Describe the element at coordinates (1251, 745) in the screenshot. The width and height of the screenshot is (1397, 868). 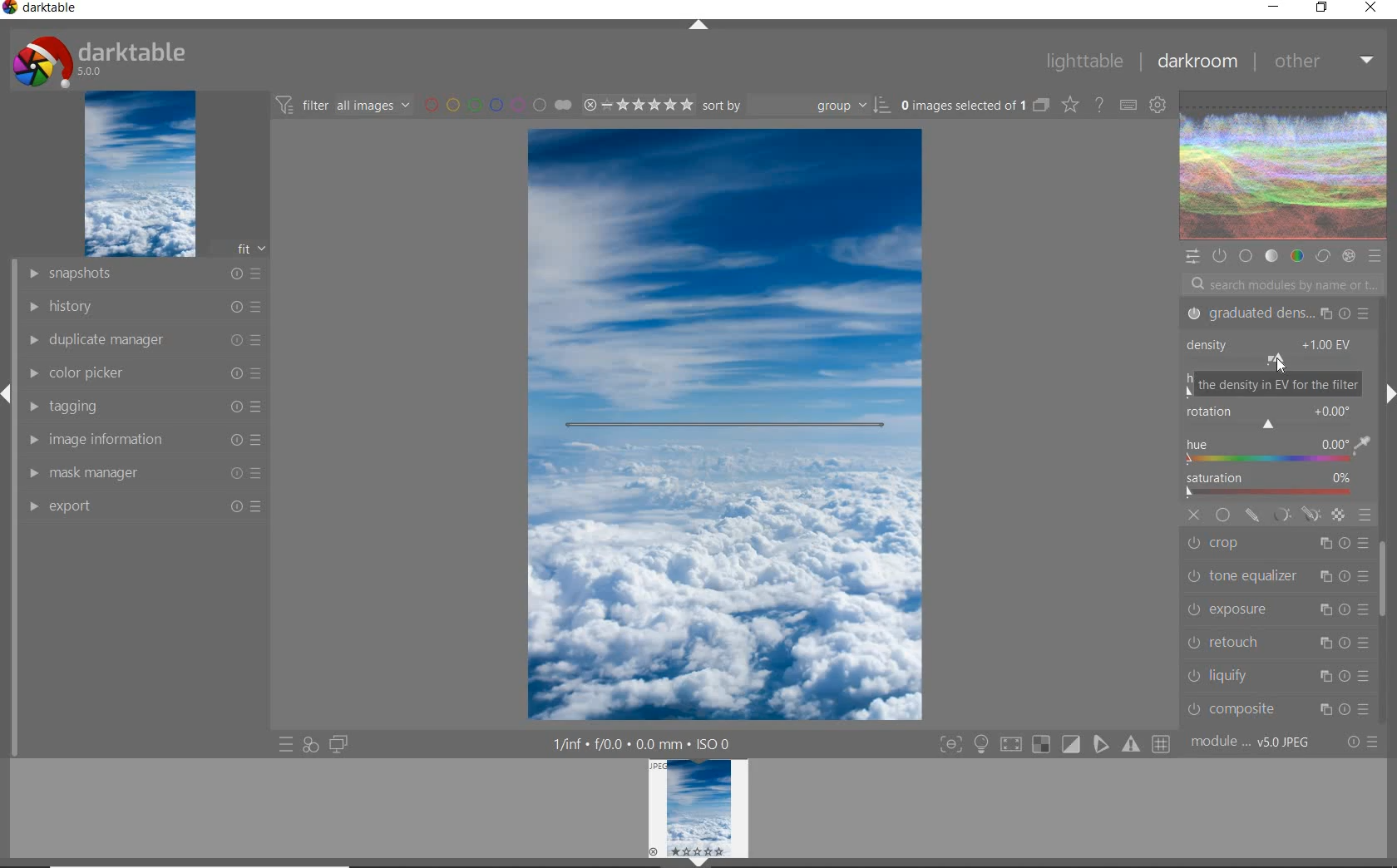
I see `module ... v5.0 JPEG` at that location.